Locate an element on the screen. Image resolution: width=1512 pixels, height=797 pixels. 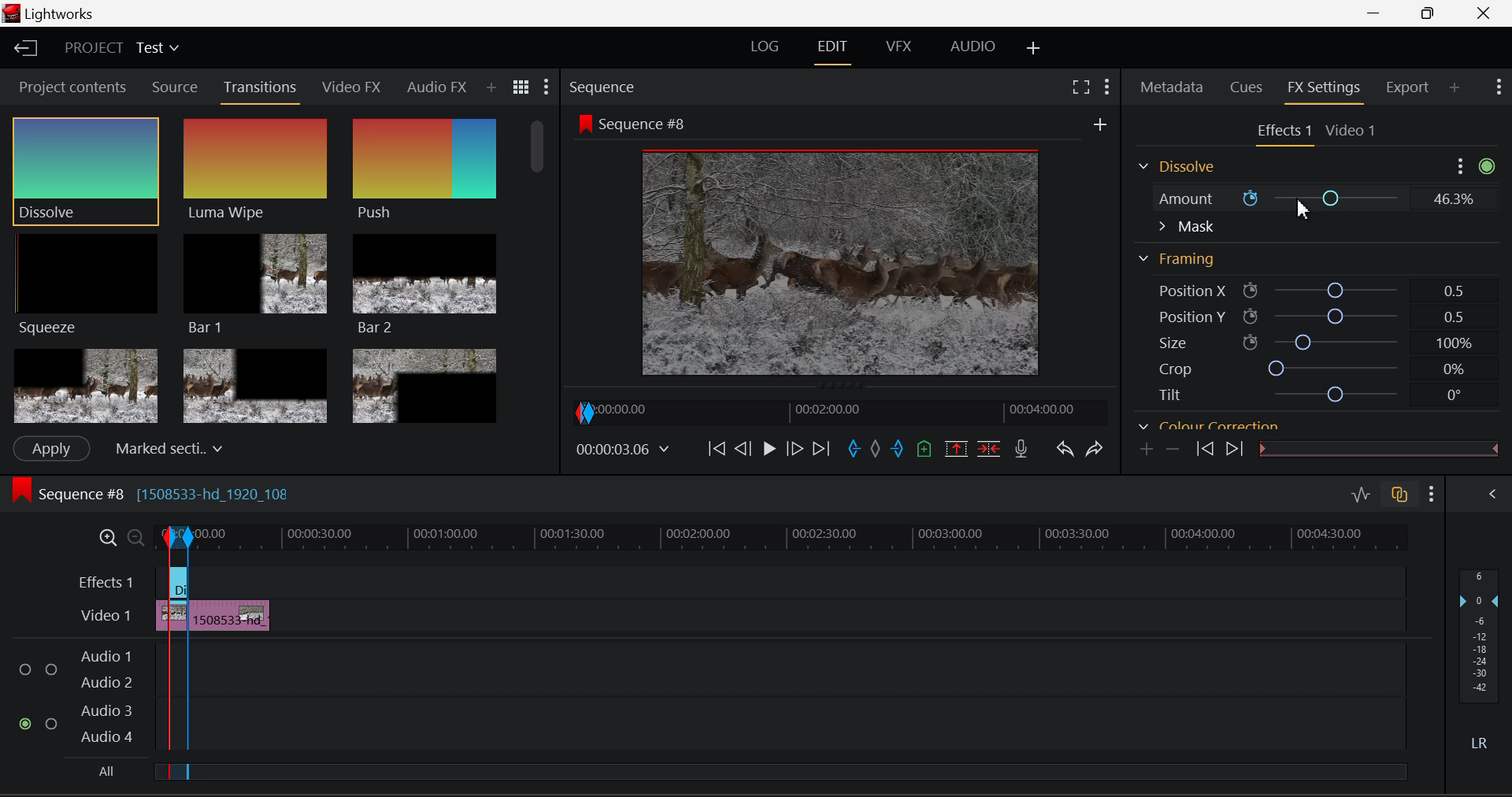
Restore Down is located at coordinates (1379, 13).